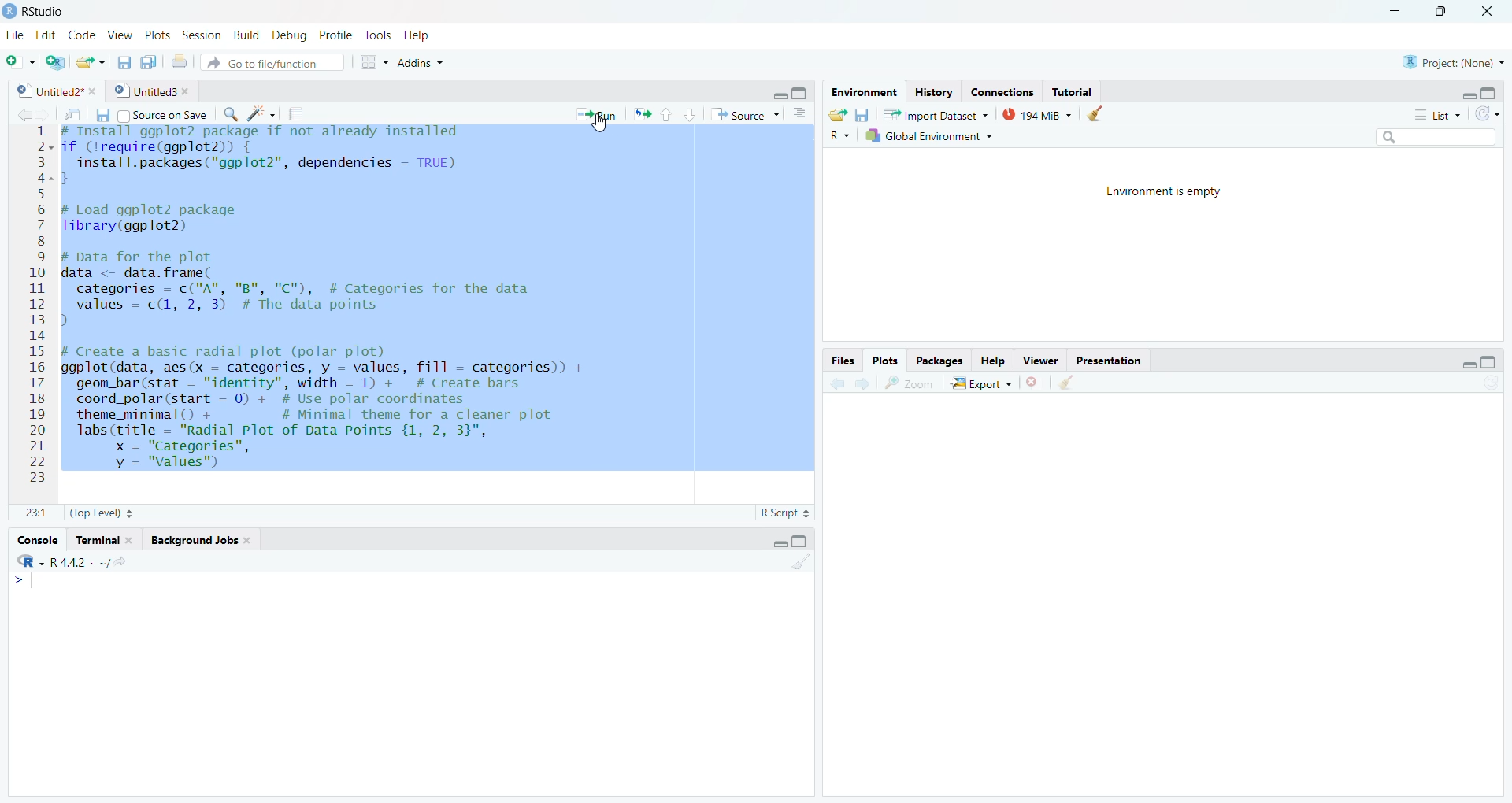  I want to click on Run, so click(597, 115).